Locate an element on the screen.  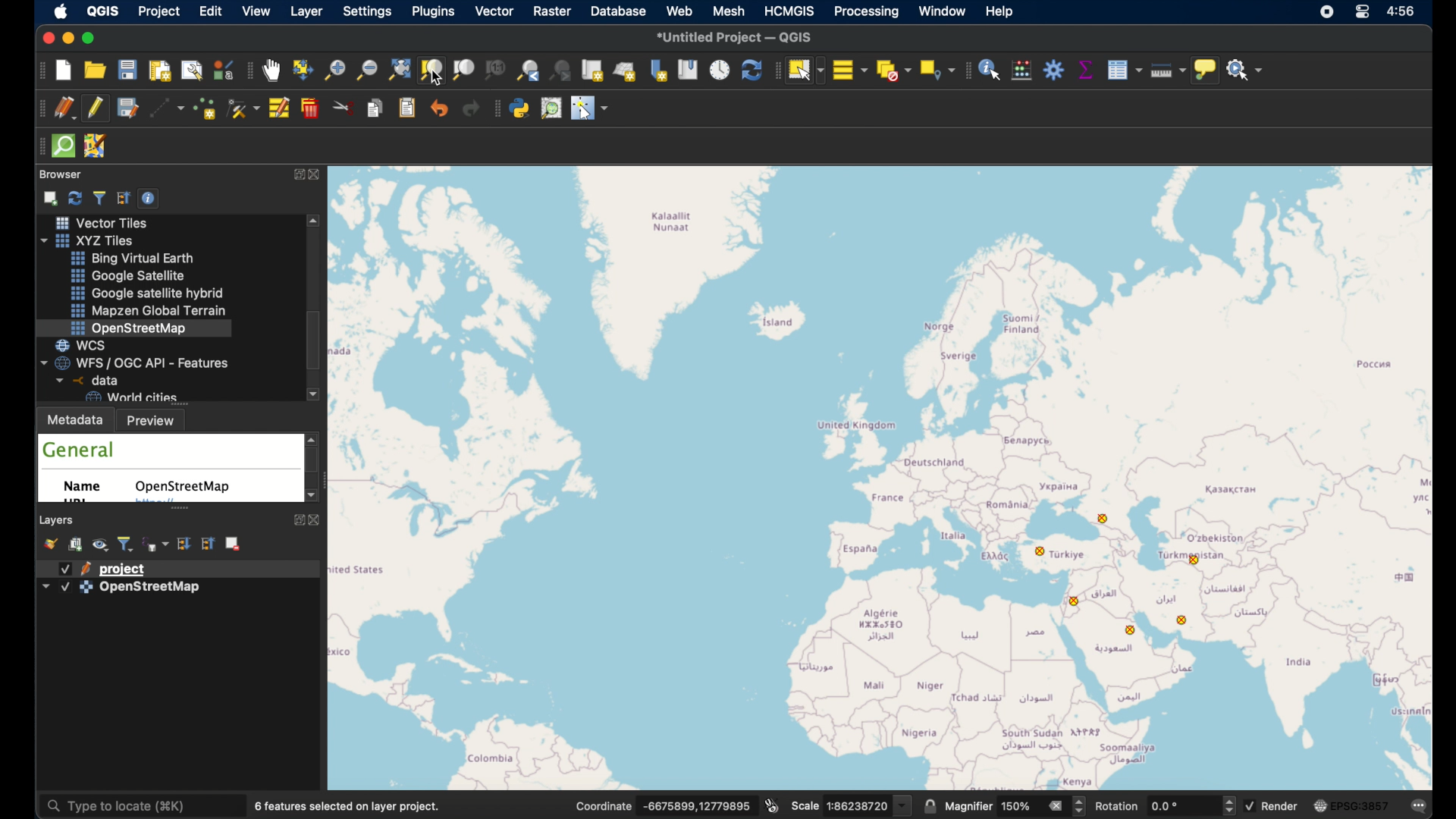
temporal controller panel is located at coordinates (720, 69).